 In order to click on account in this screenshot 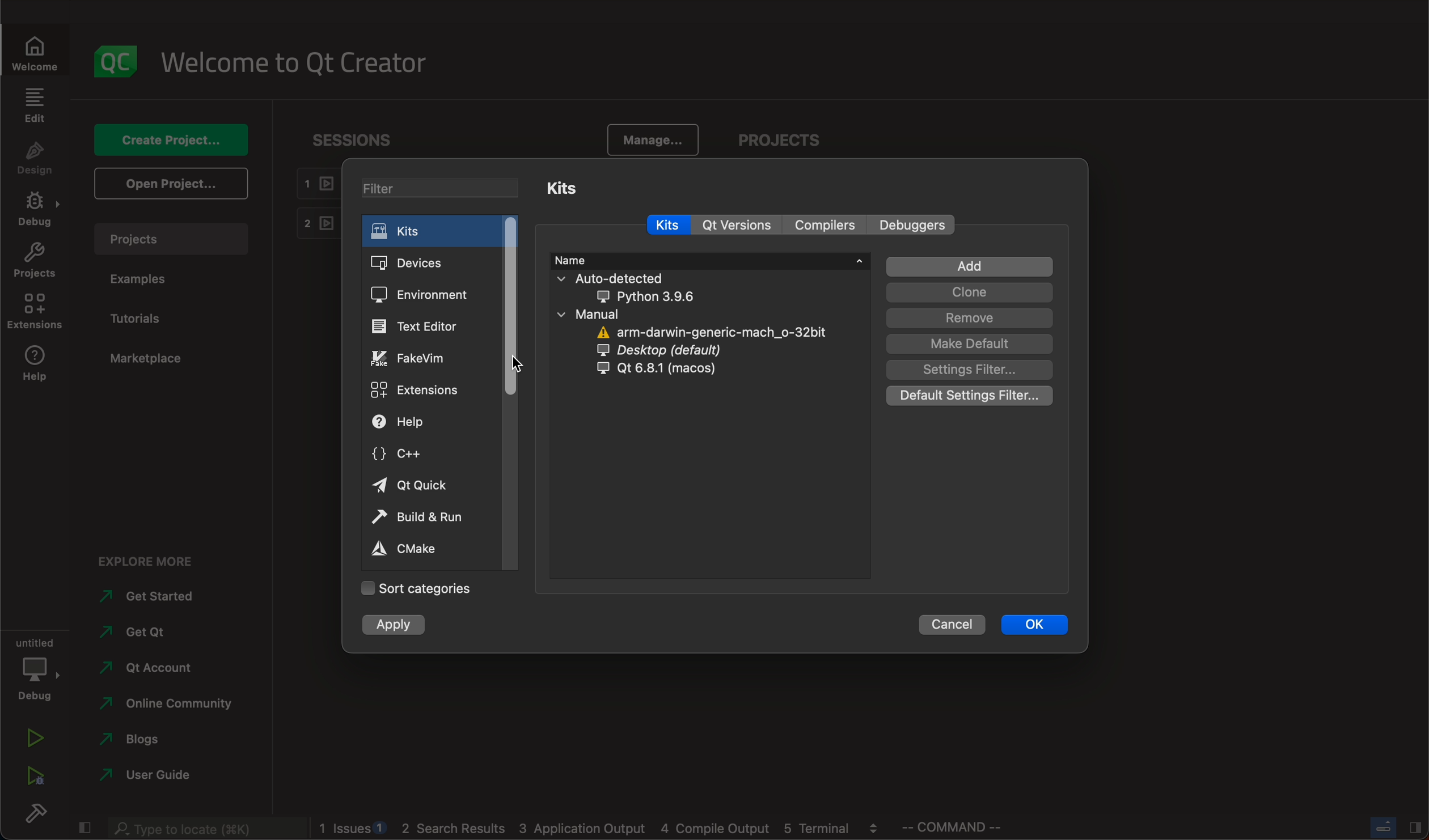, I will do `click(147, 670)`.